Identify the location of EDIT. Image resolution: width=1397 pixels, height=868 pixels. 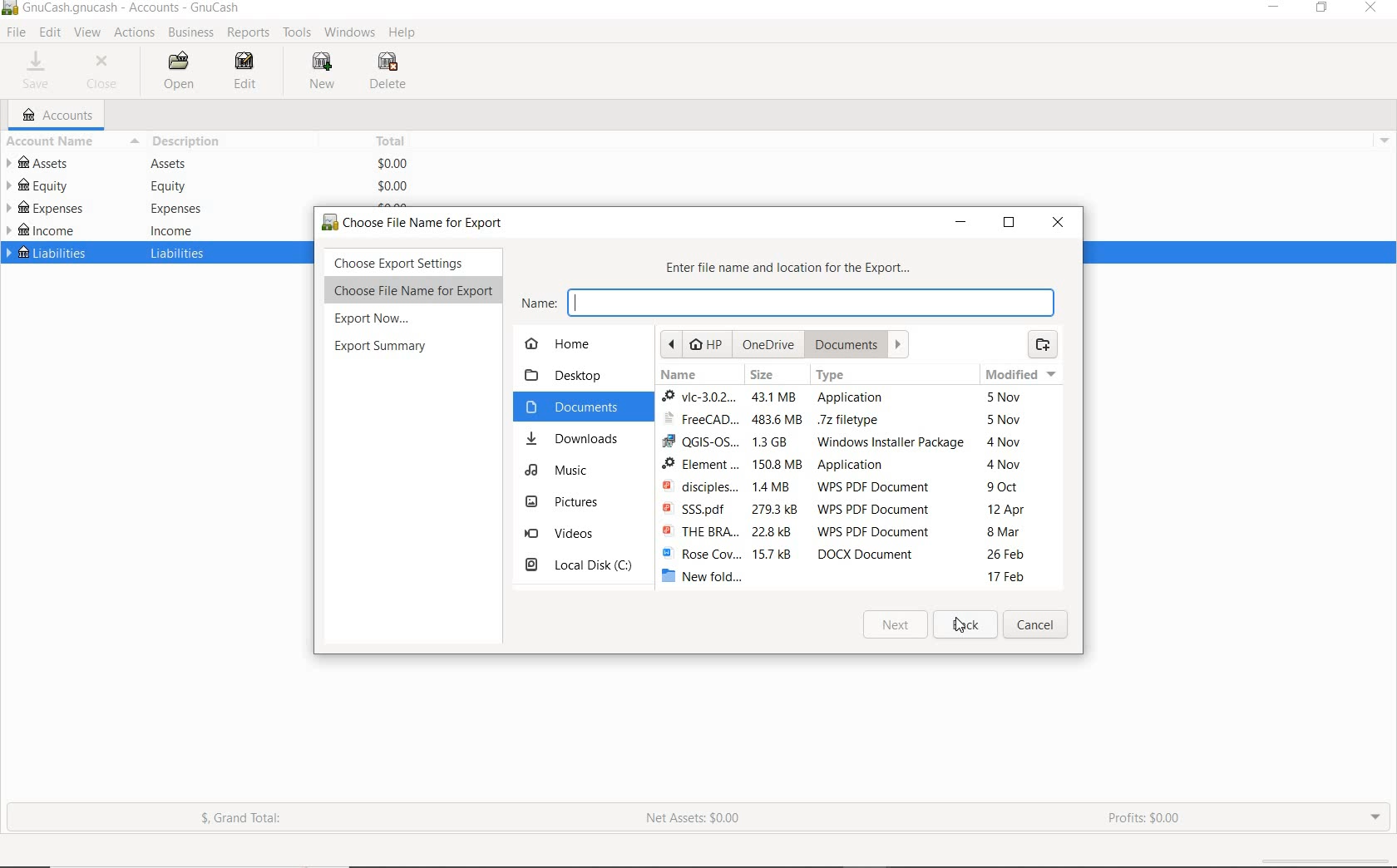
(241, 73).